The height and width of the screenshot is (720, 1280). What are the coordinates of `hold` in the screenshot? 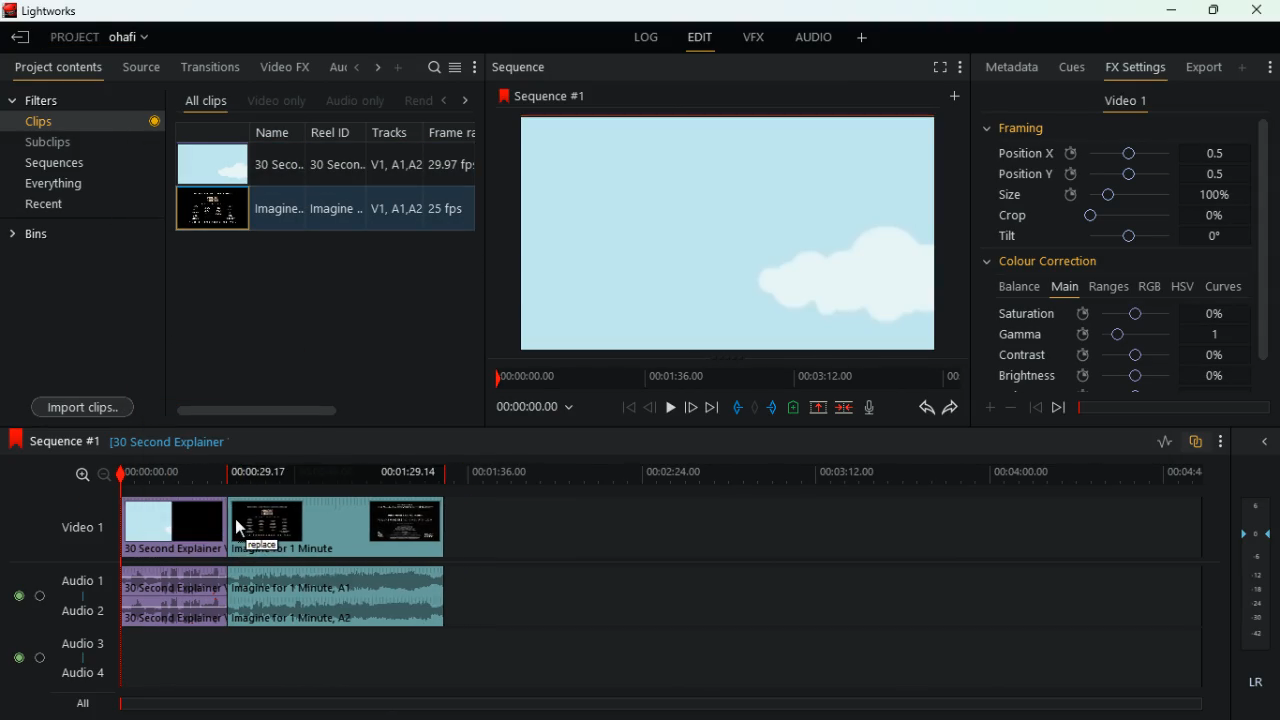 It's located at (757, 410).